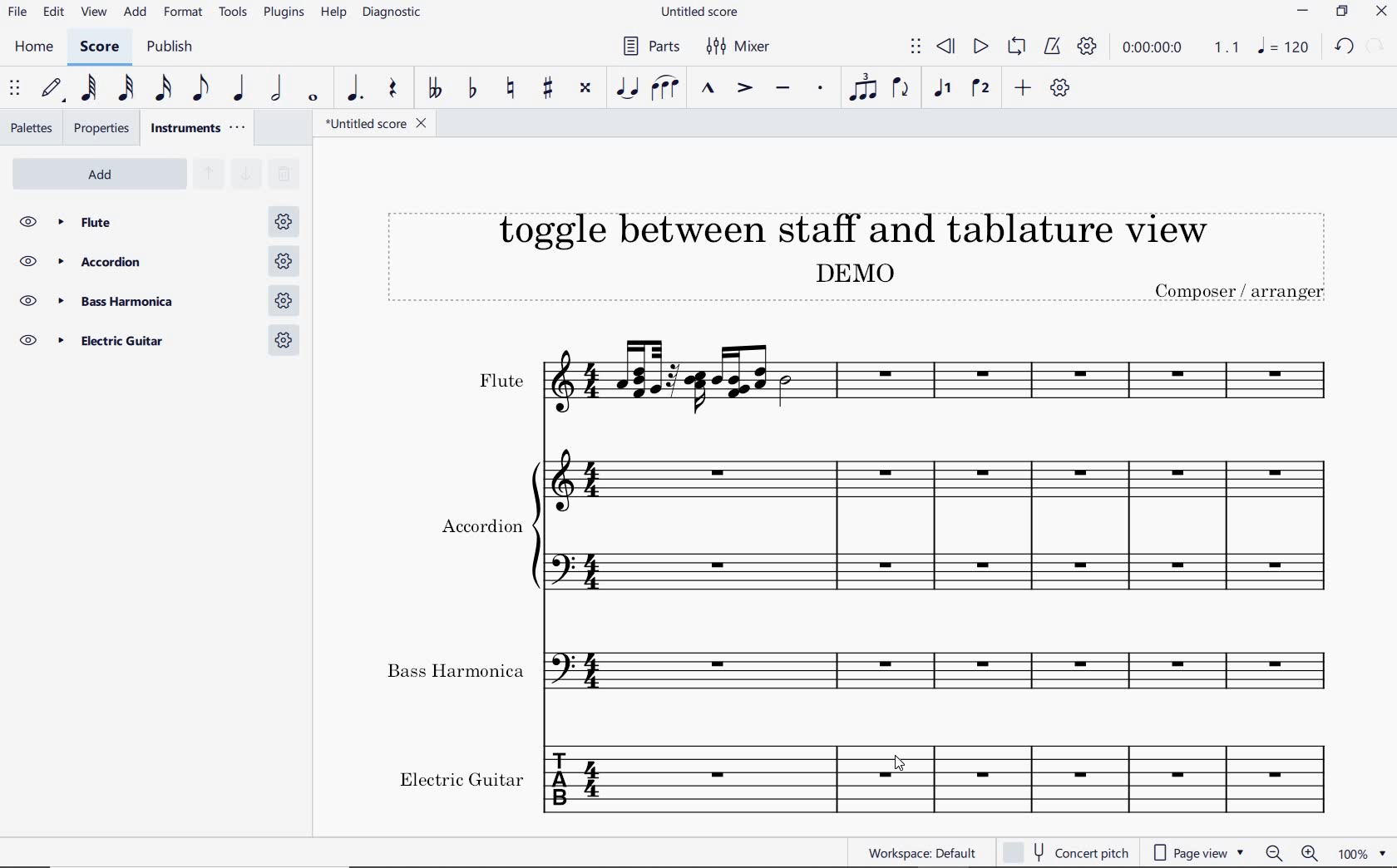 This screenshot has width=1397, height=868. I want to click on tools, so click(236, 16).